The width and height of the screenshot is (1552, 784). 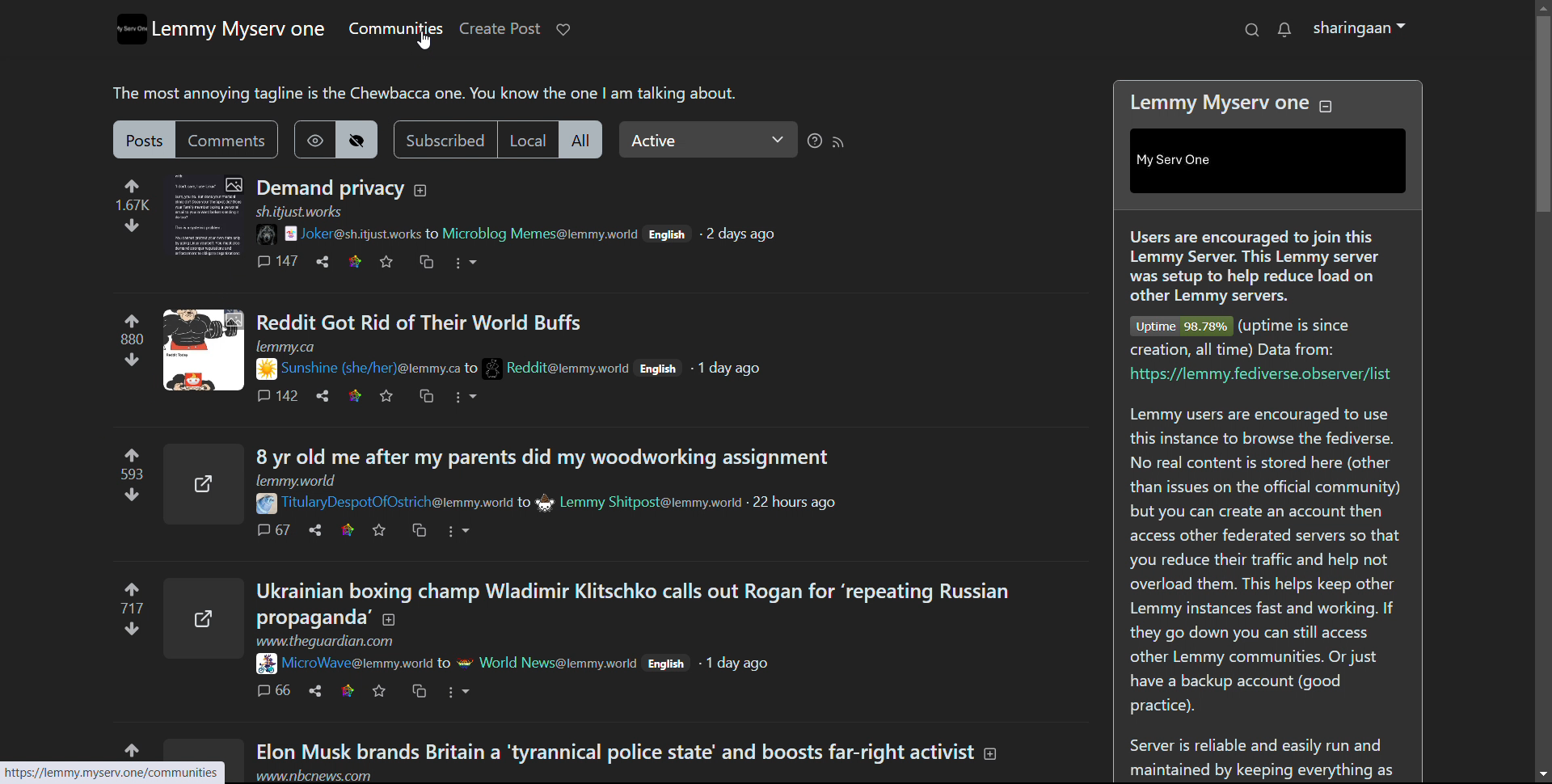 I want to click on 1 day ago, so click(x=732, y=369).